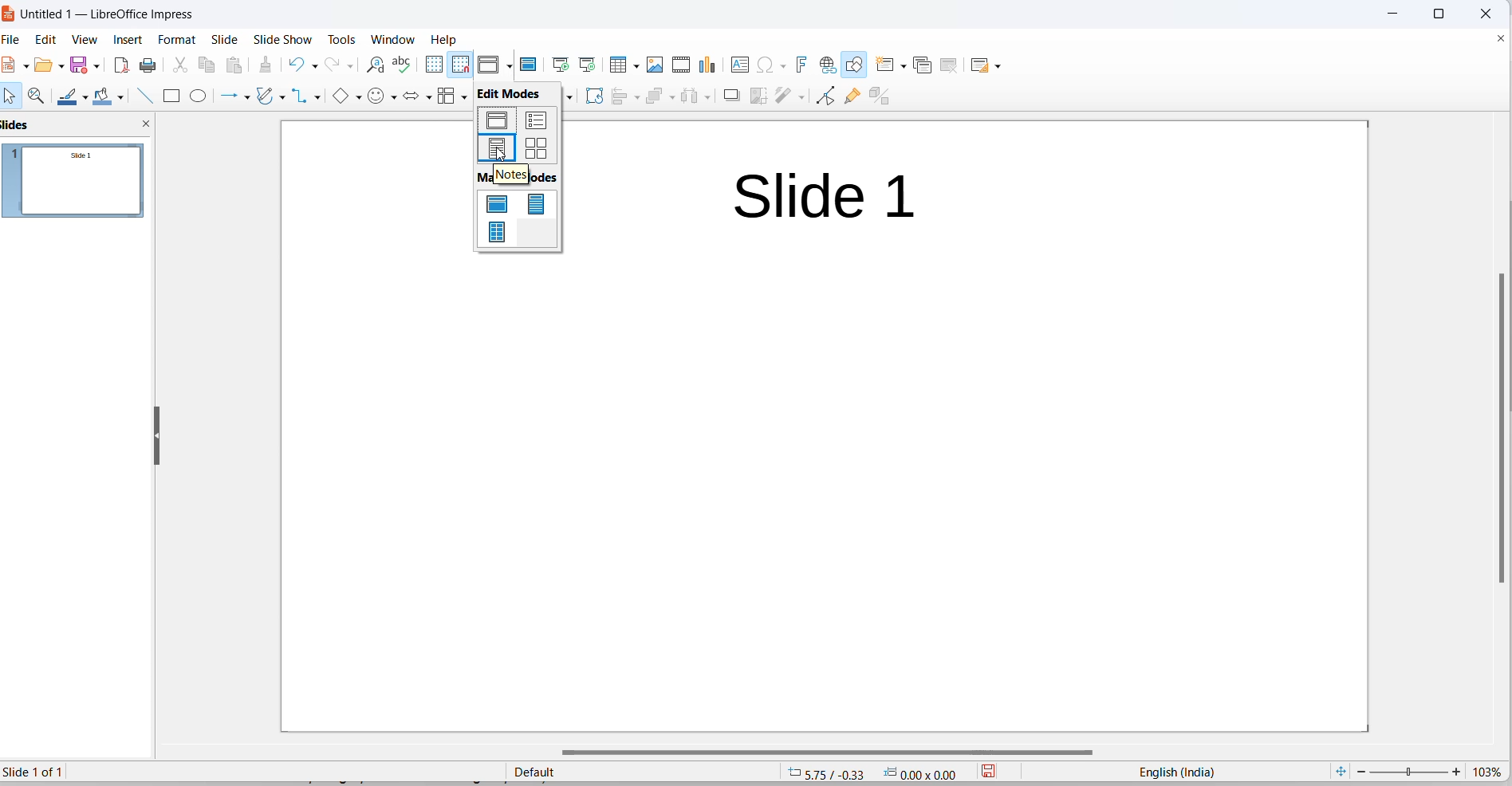 The width and height of the screenshot is (1512, 786). What do you see at coordinates (512, 92) in the screenshot?
I see `edit mode heading` at bounding box center [512, 92].